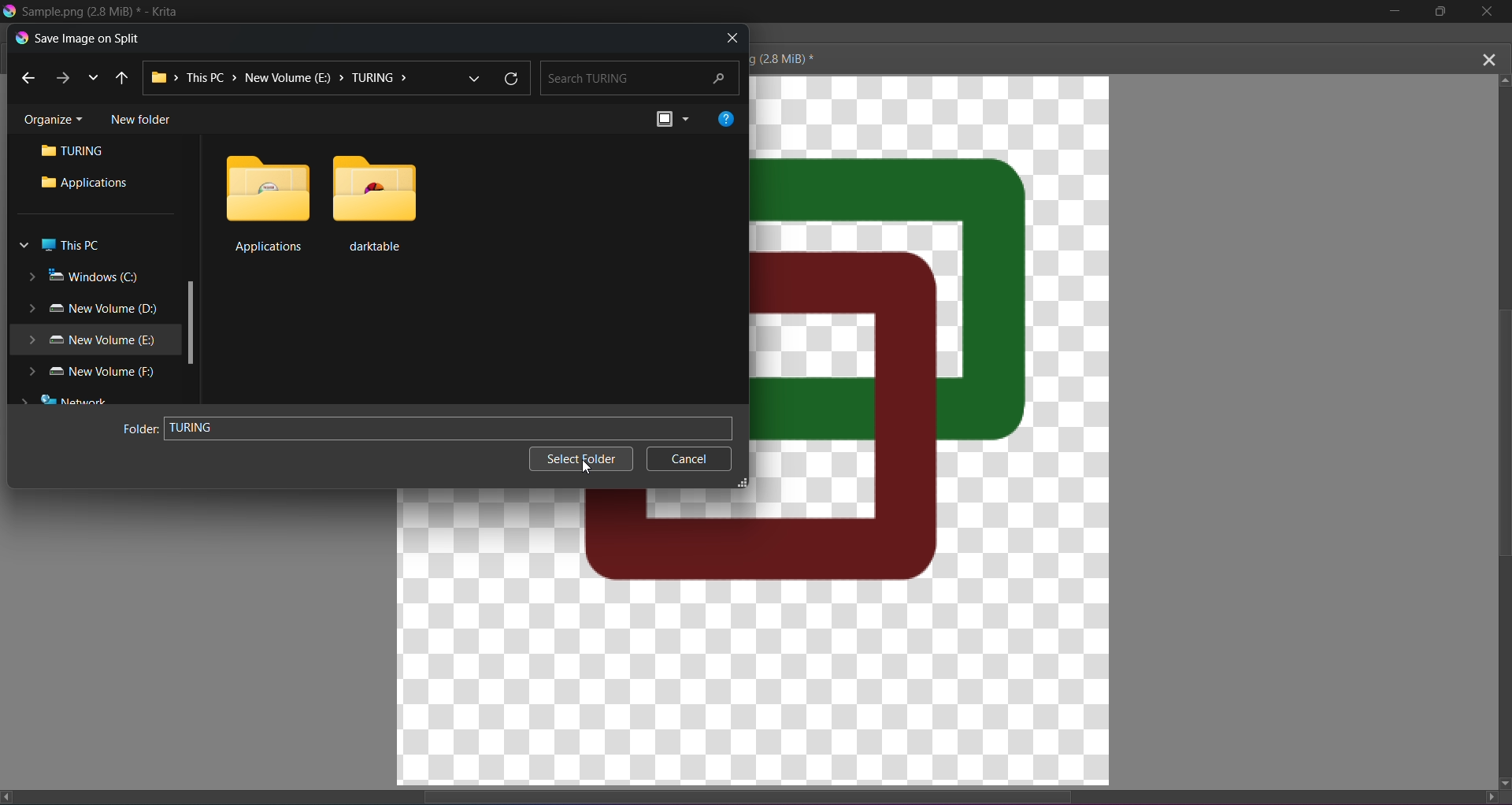  I want to click on Dropdown, so click(473, 78).